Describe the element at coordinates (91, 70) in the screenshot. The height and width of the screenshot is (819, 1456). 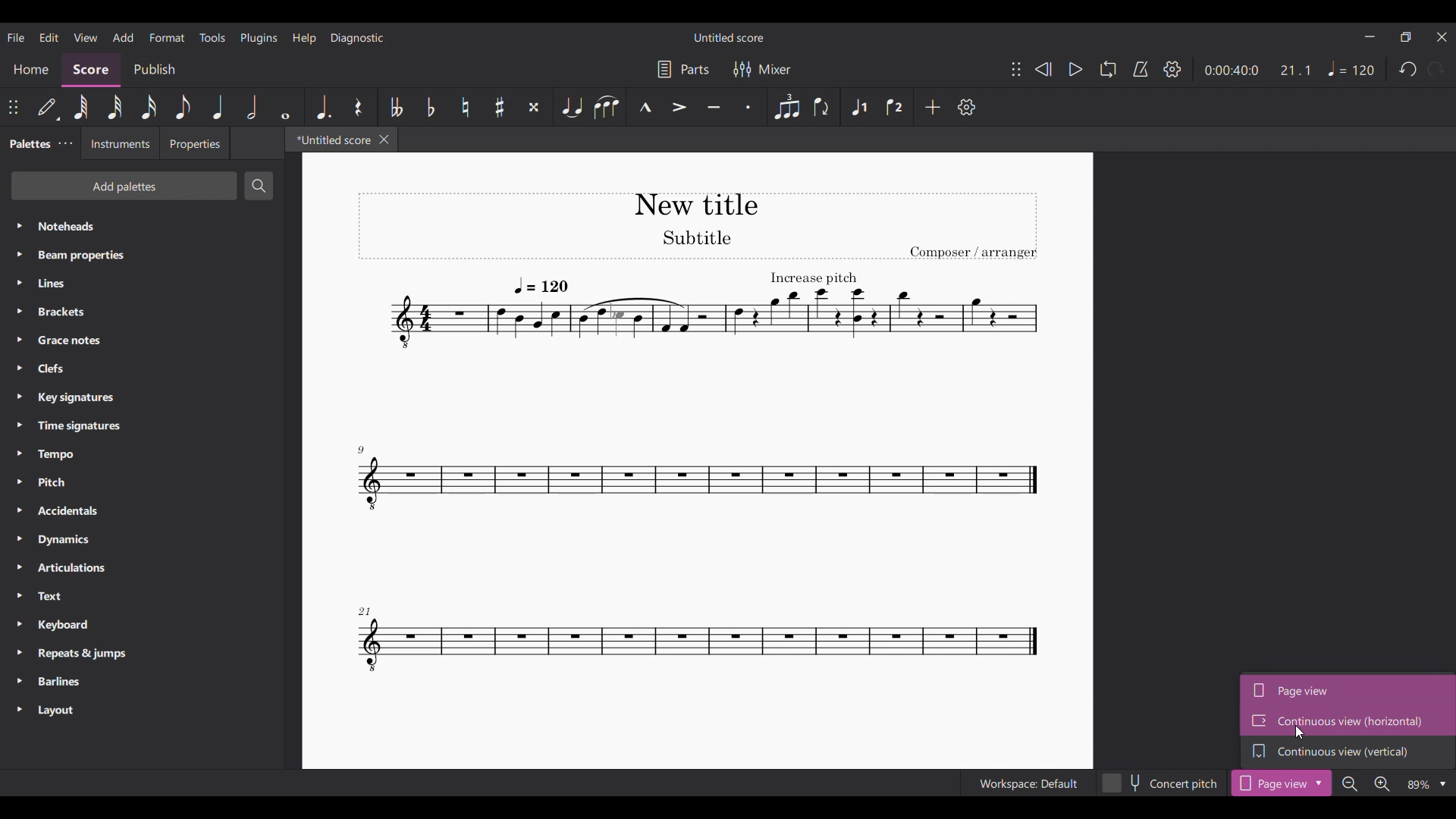
I see `Score, current section highlighted` at that location.